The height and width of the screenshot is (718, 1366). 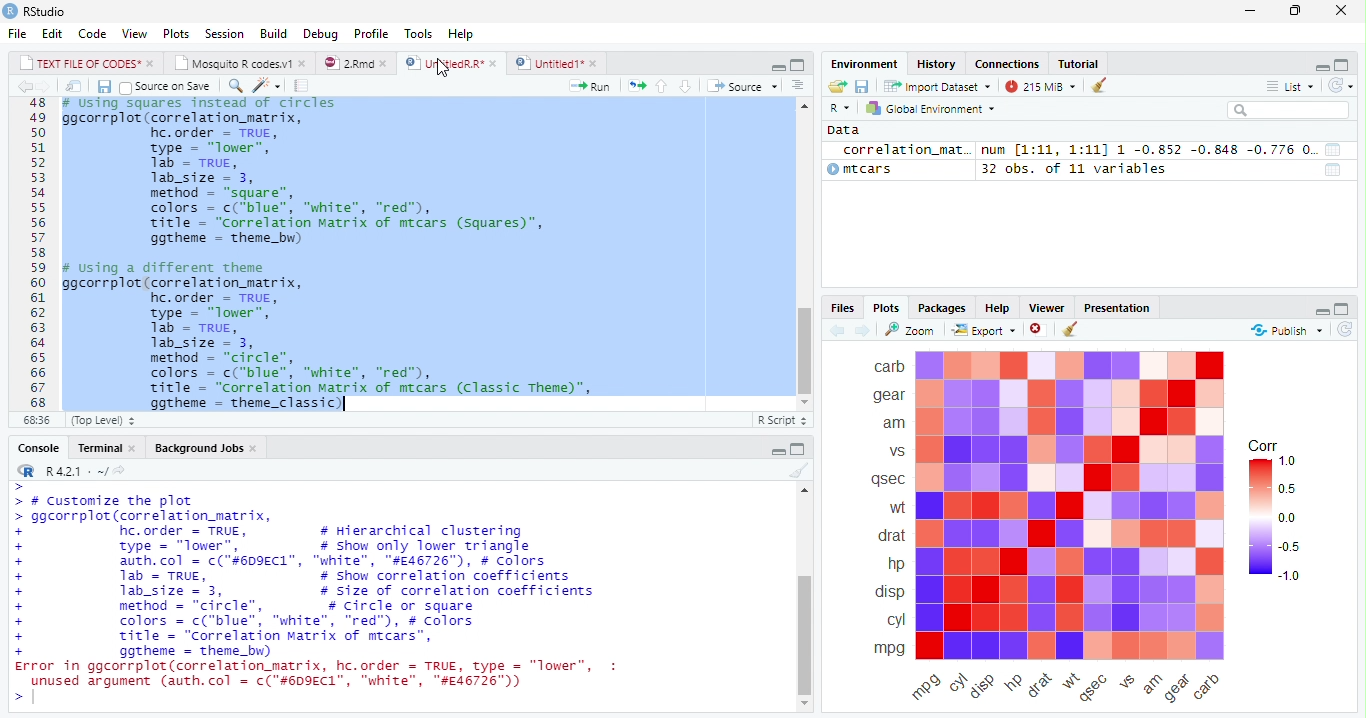 What do you see at coordinates (103, 86) in the screenshot?
I see `save current document` at bounding box center [103, 86].